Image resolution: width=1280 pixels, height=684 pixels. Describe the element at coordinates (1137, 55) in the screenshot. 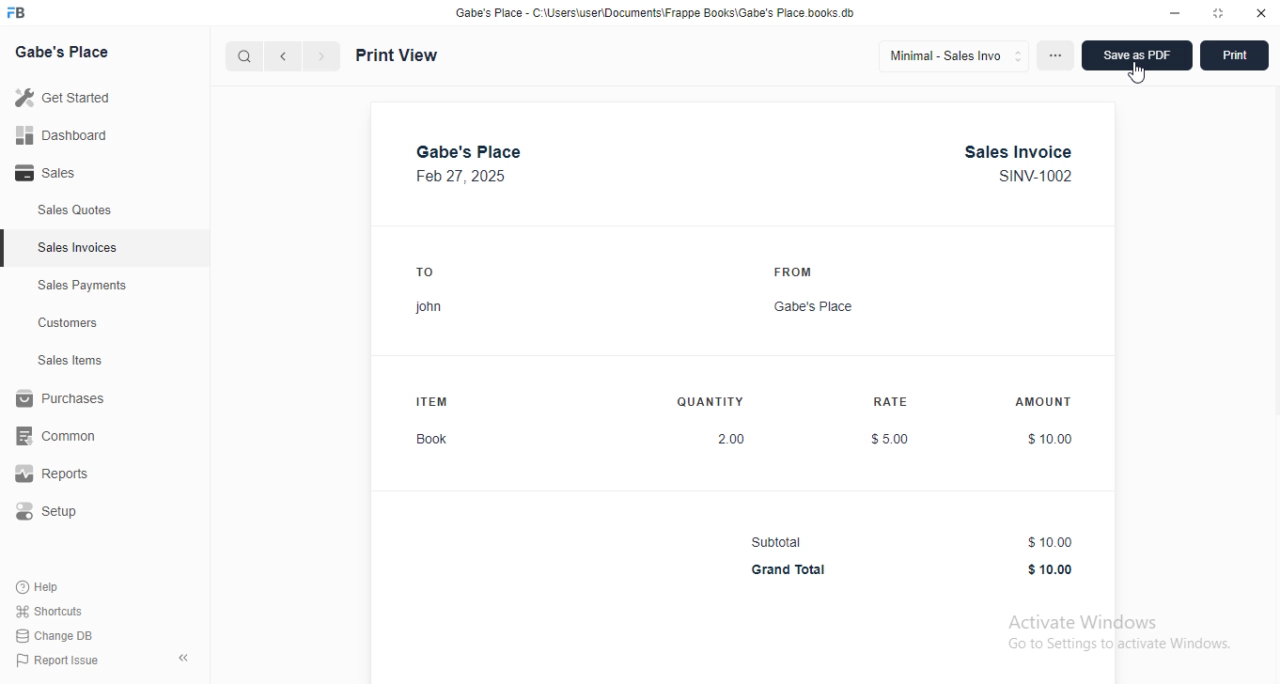

I see `save as PDF` at that location.